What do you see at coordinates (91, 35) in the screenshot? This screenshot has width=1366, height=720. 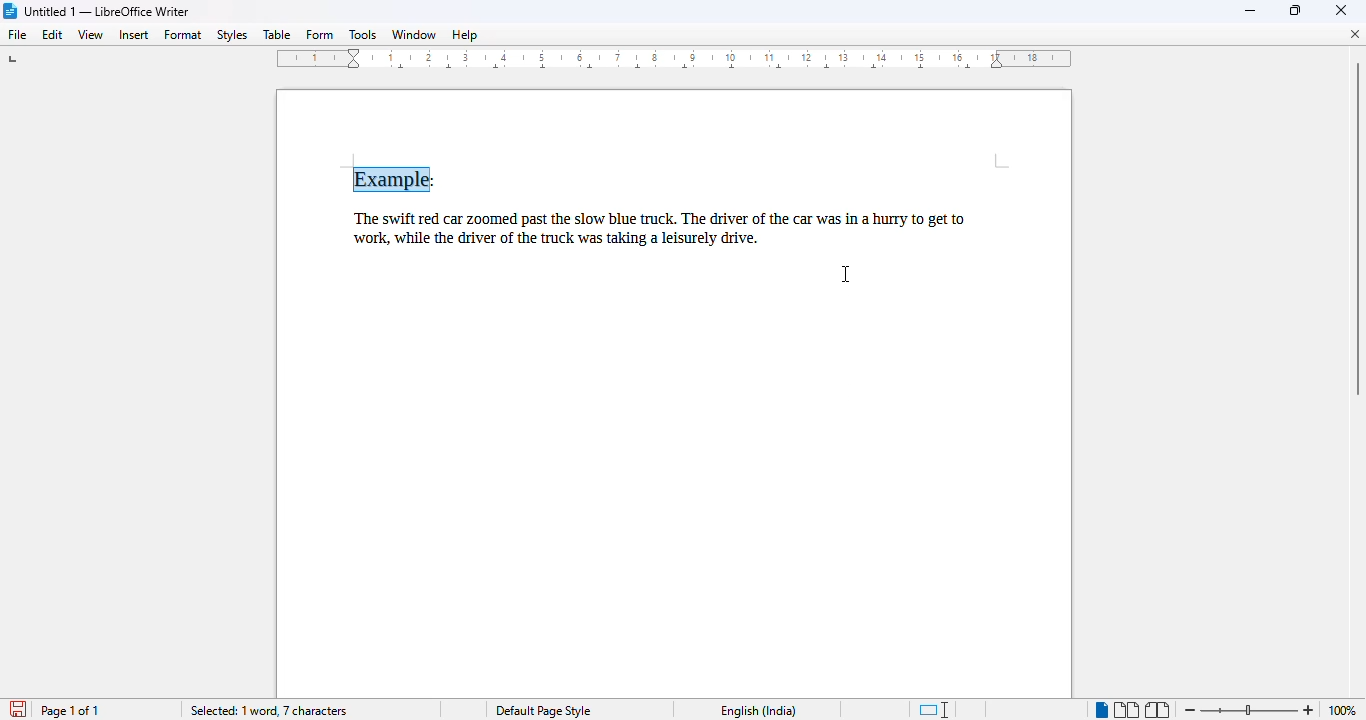 I see `view` at bounding box center [91, 35].